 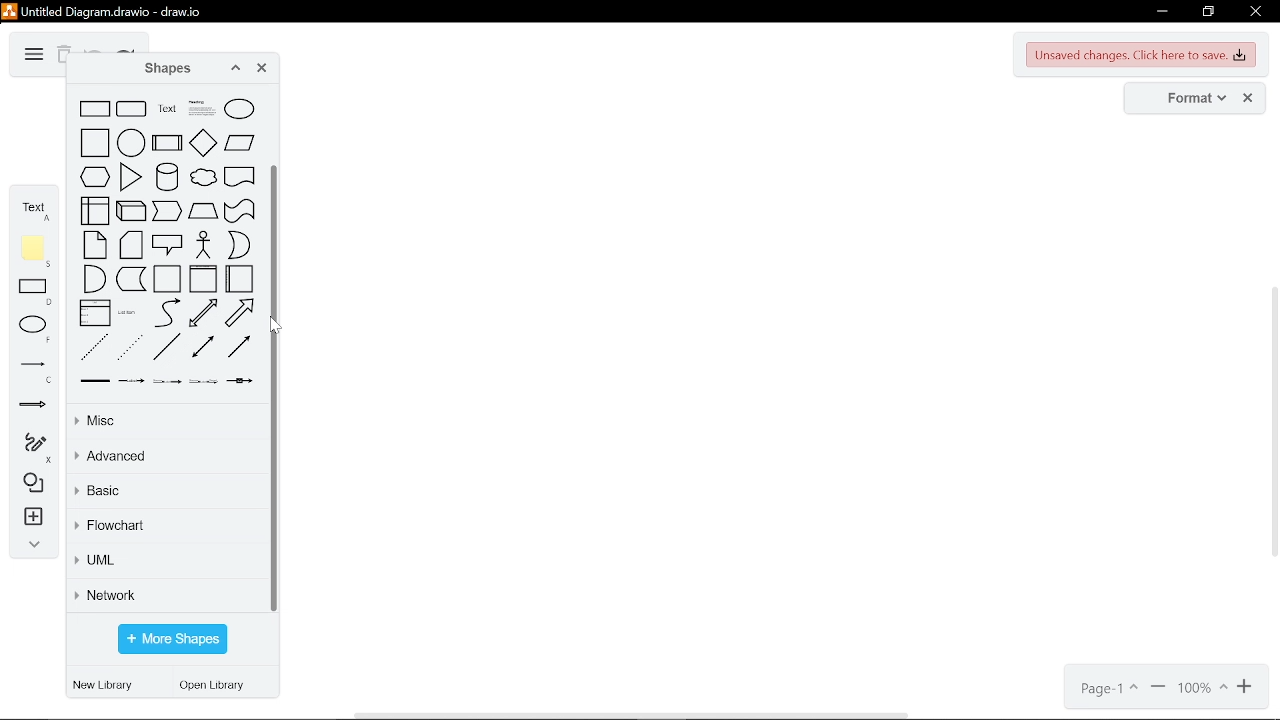 I want to click on vertical scroll bar, so click(x=1272, y=424).